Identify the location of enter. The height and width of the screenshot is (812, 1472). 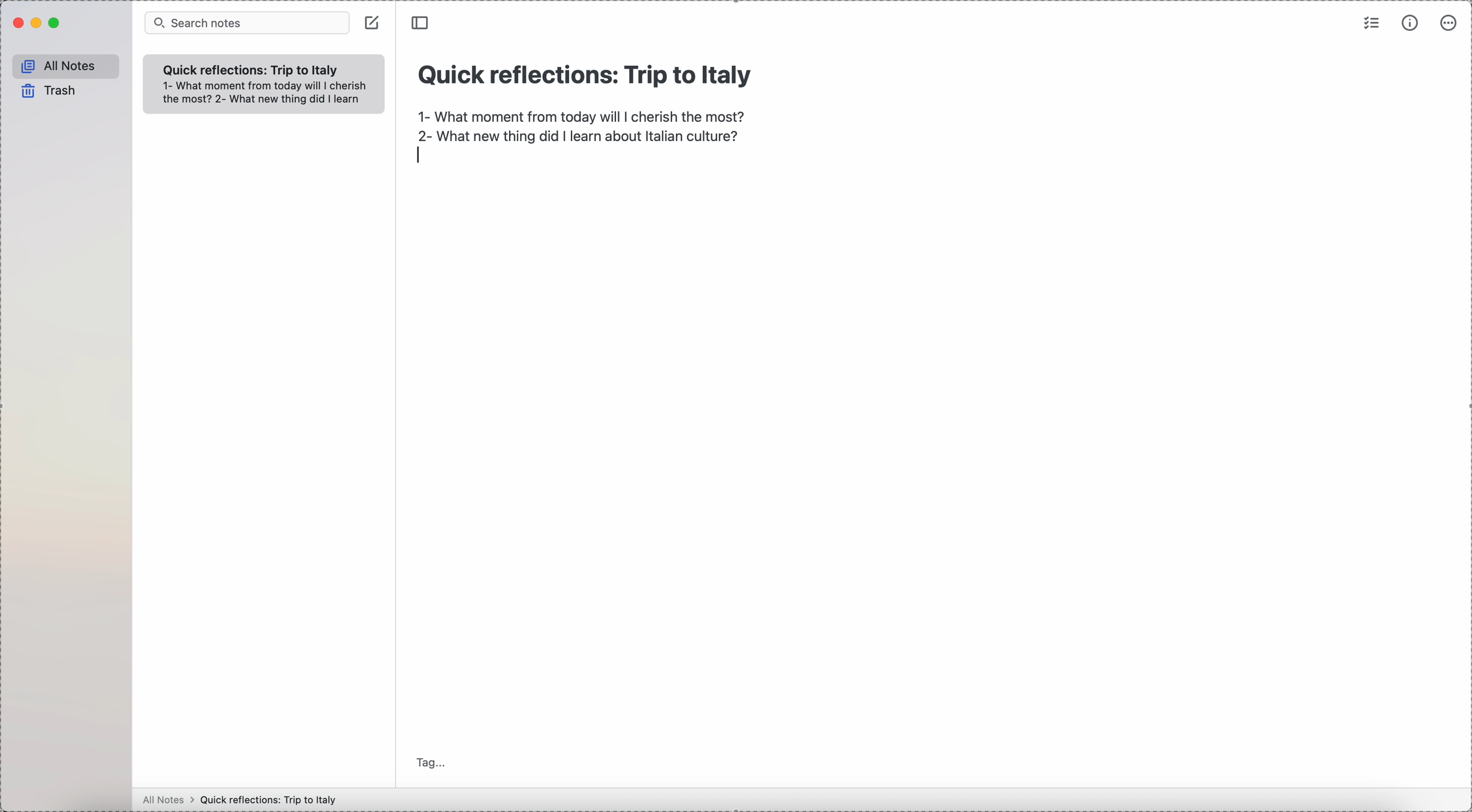
(419, 156).